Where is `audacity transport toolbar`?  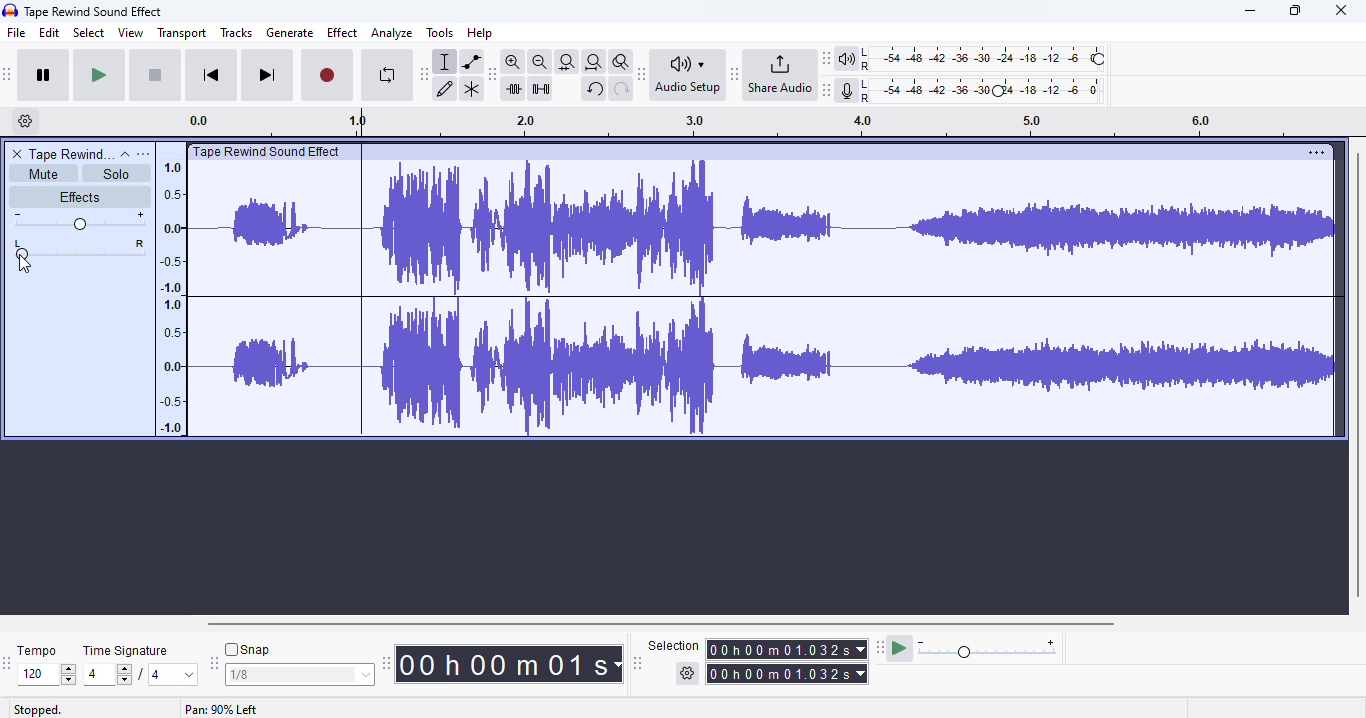
audacity transport toolbar is located at coordinates (7, 73).